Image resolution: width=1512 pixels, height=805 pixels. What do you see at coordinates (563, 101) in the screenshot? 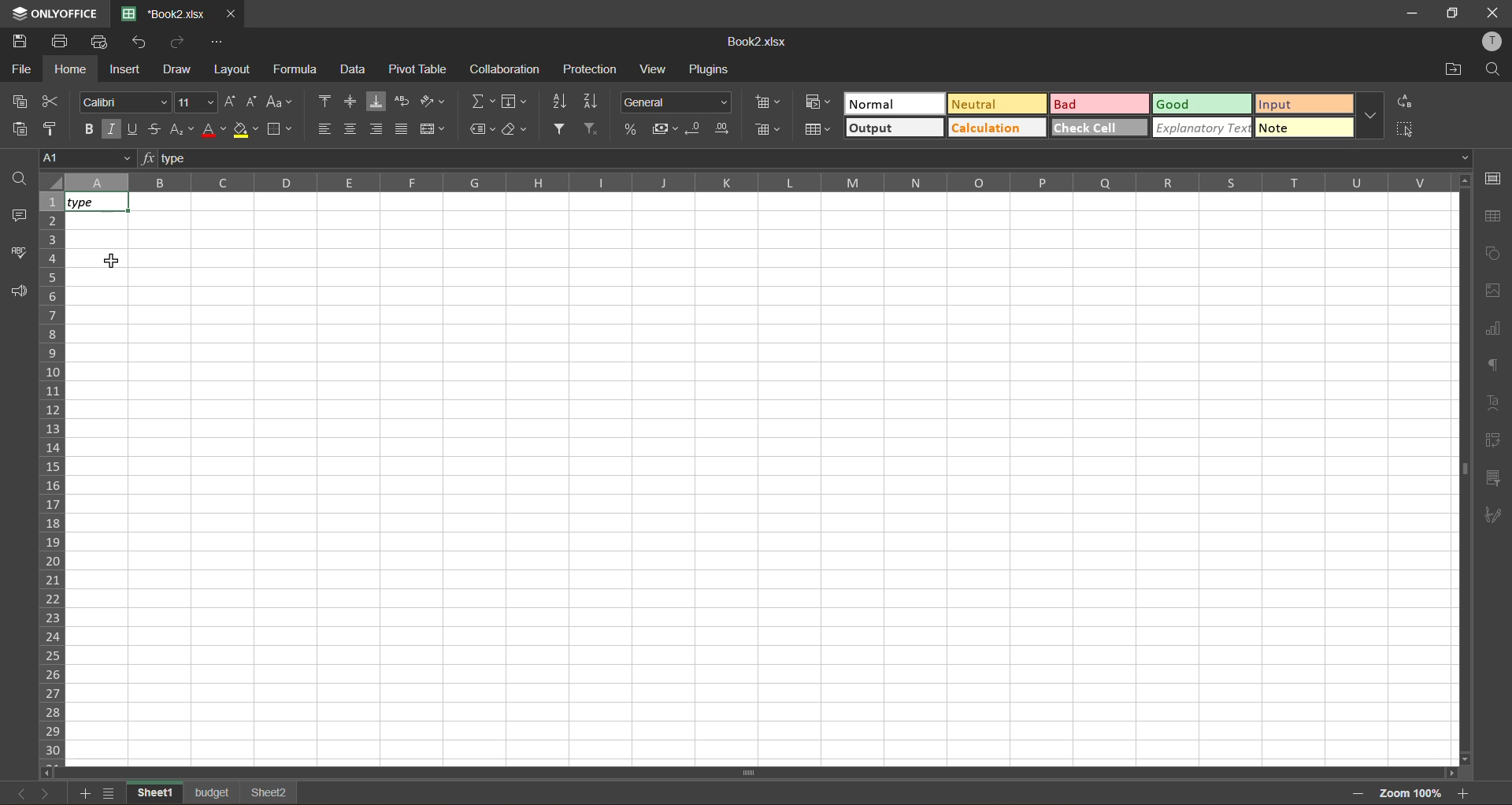
I see `sort ascending` at bounding box center [563, 101].